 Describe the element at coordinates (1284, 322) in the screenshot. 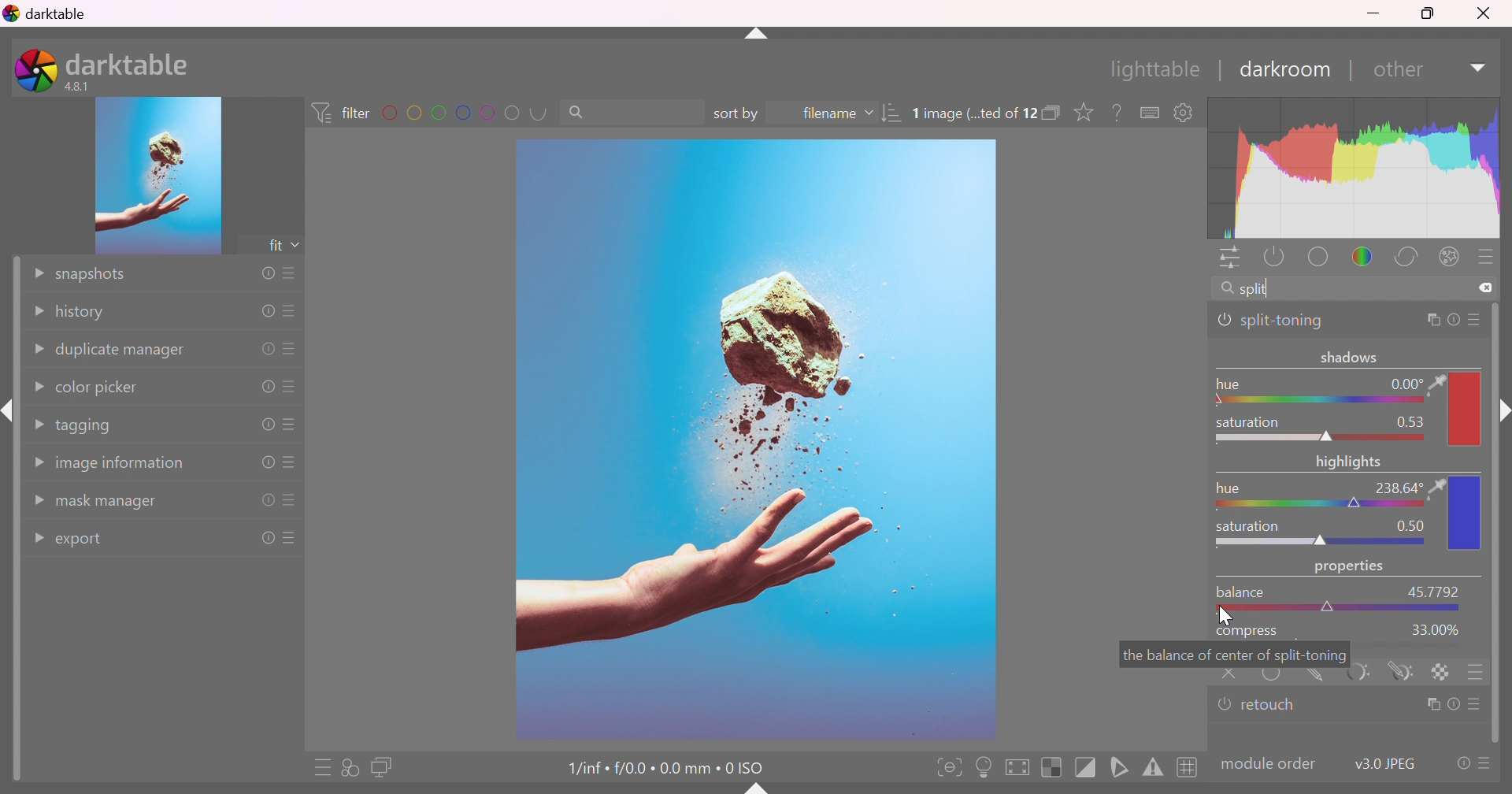

I see `split-toning` at that location.